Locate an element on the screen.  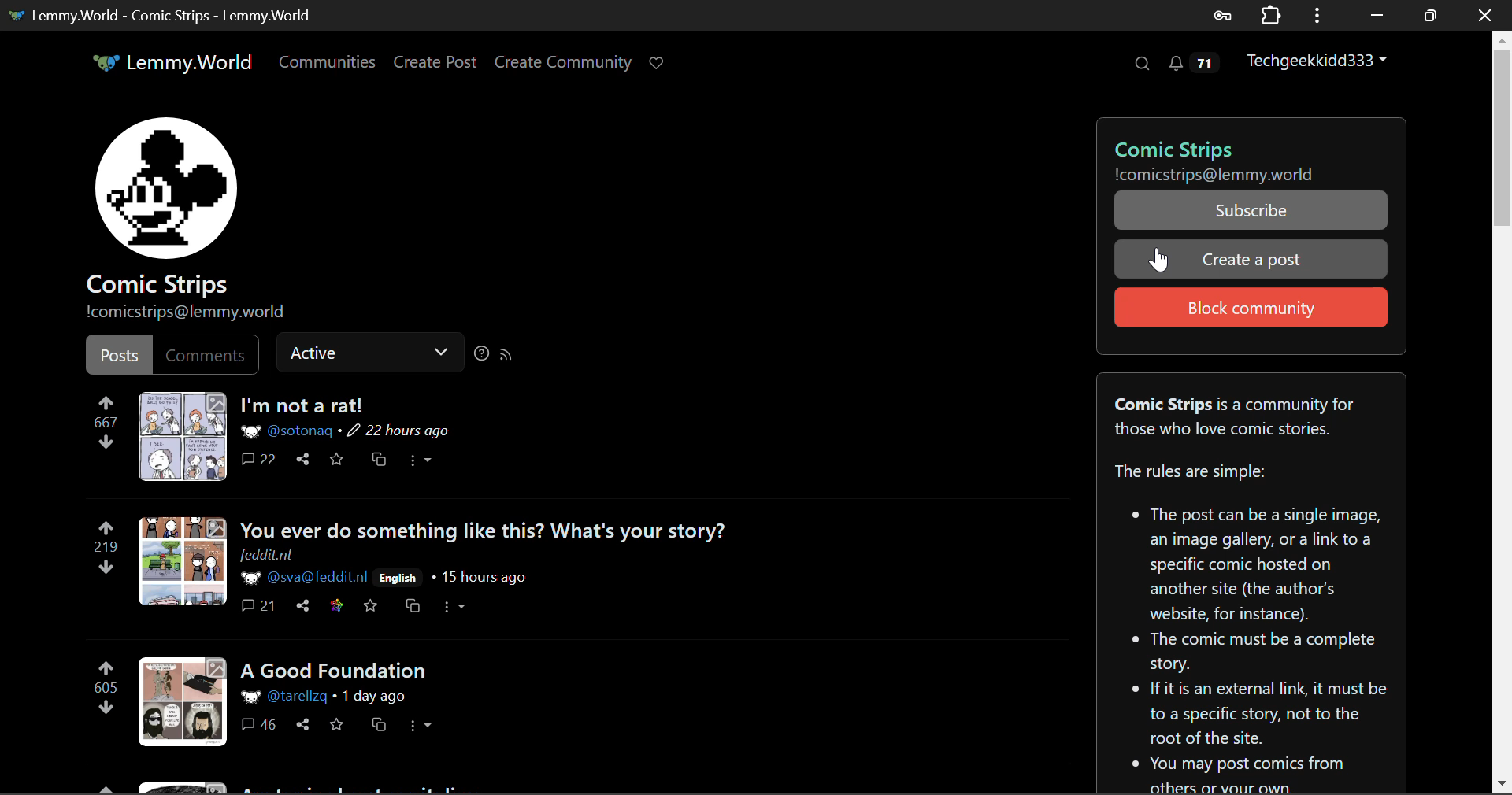
Saved Password Data is located at coordinates (1221, 15).